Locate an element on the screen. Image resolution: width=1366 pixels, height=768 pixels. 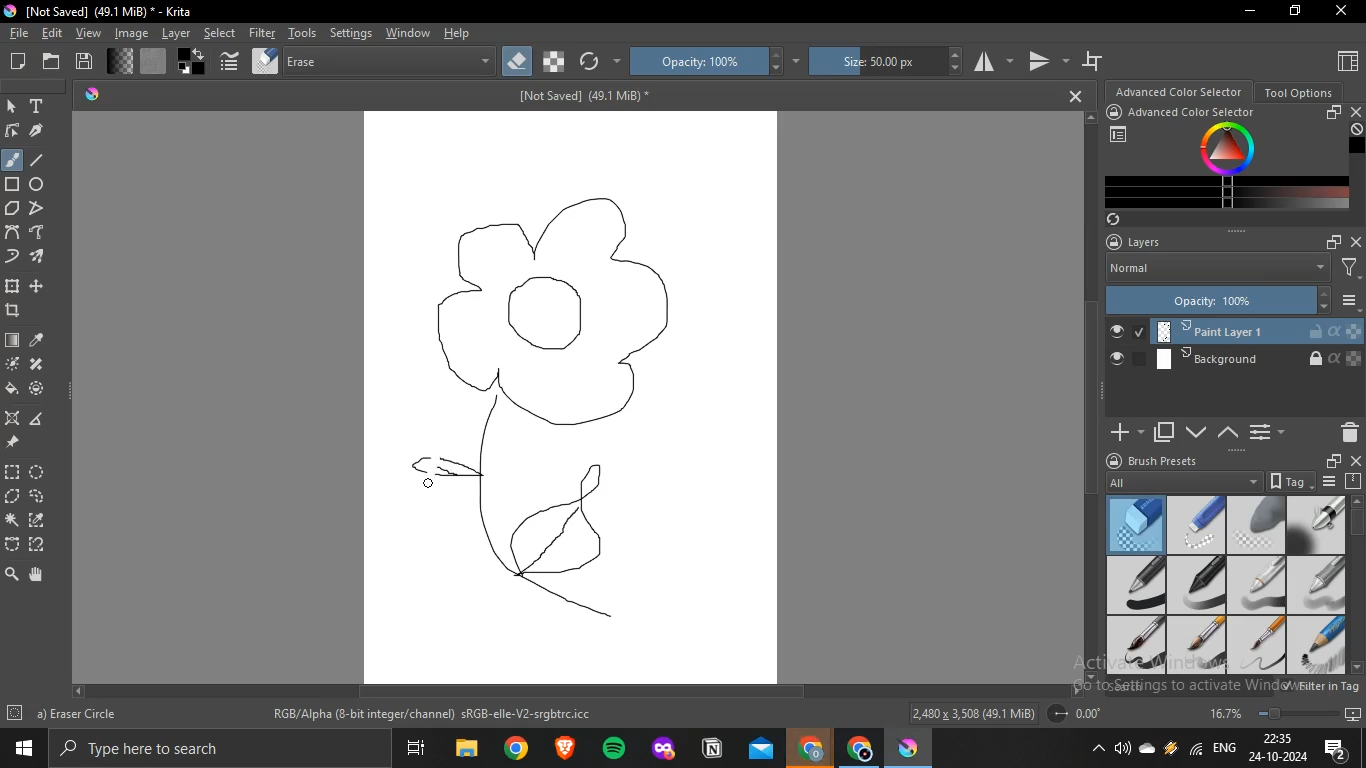
Restore is located at coordinates (1293, 13).